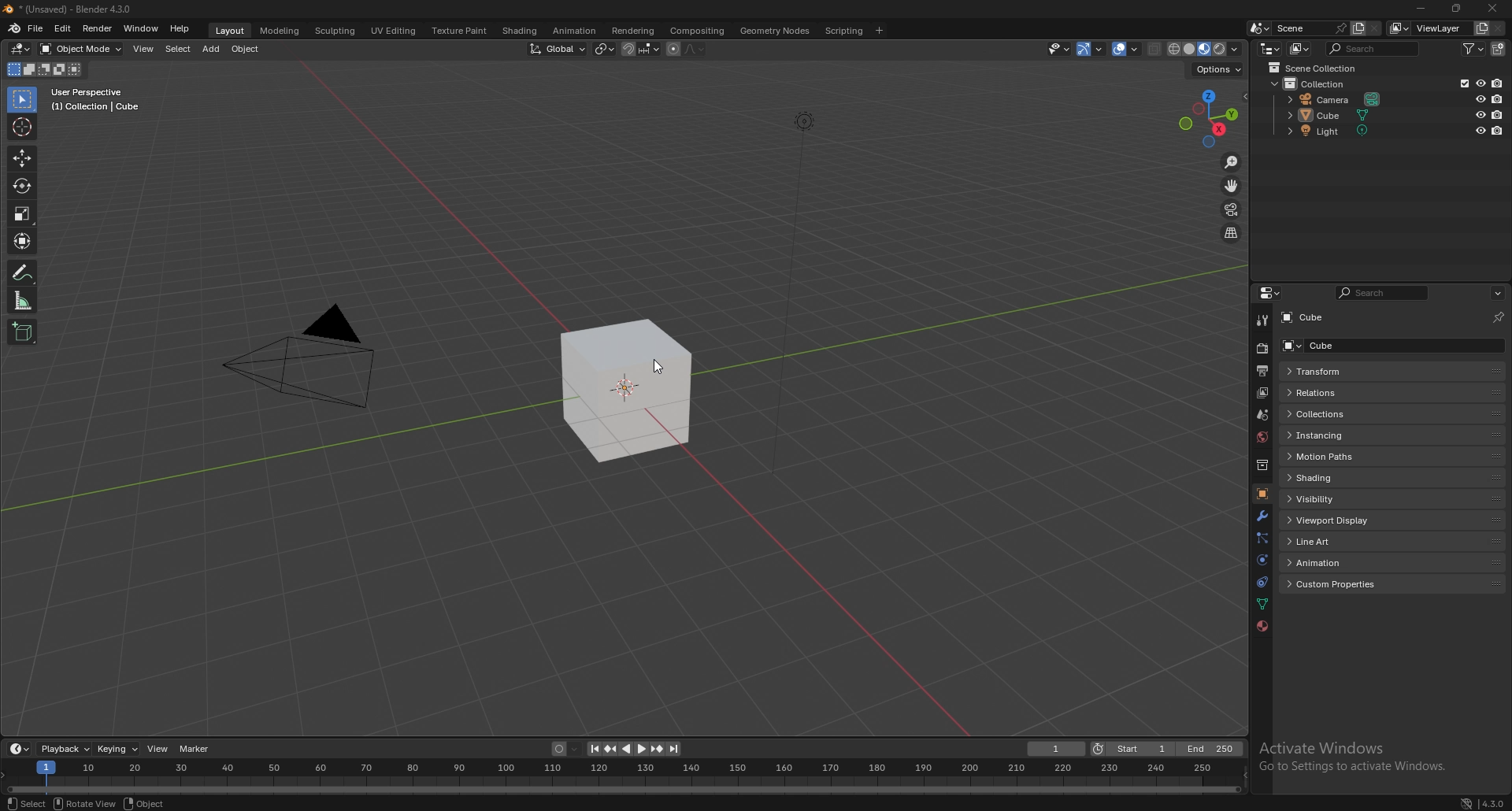 Image resolution: width=1512 pixels, height=811 pixels. What do you see at coordinates (1468, 804) in the screenshot?
I see `network` at bounding box center [1468, 804].